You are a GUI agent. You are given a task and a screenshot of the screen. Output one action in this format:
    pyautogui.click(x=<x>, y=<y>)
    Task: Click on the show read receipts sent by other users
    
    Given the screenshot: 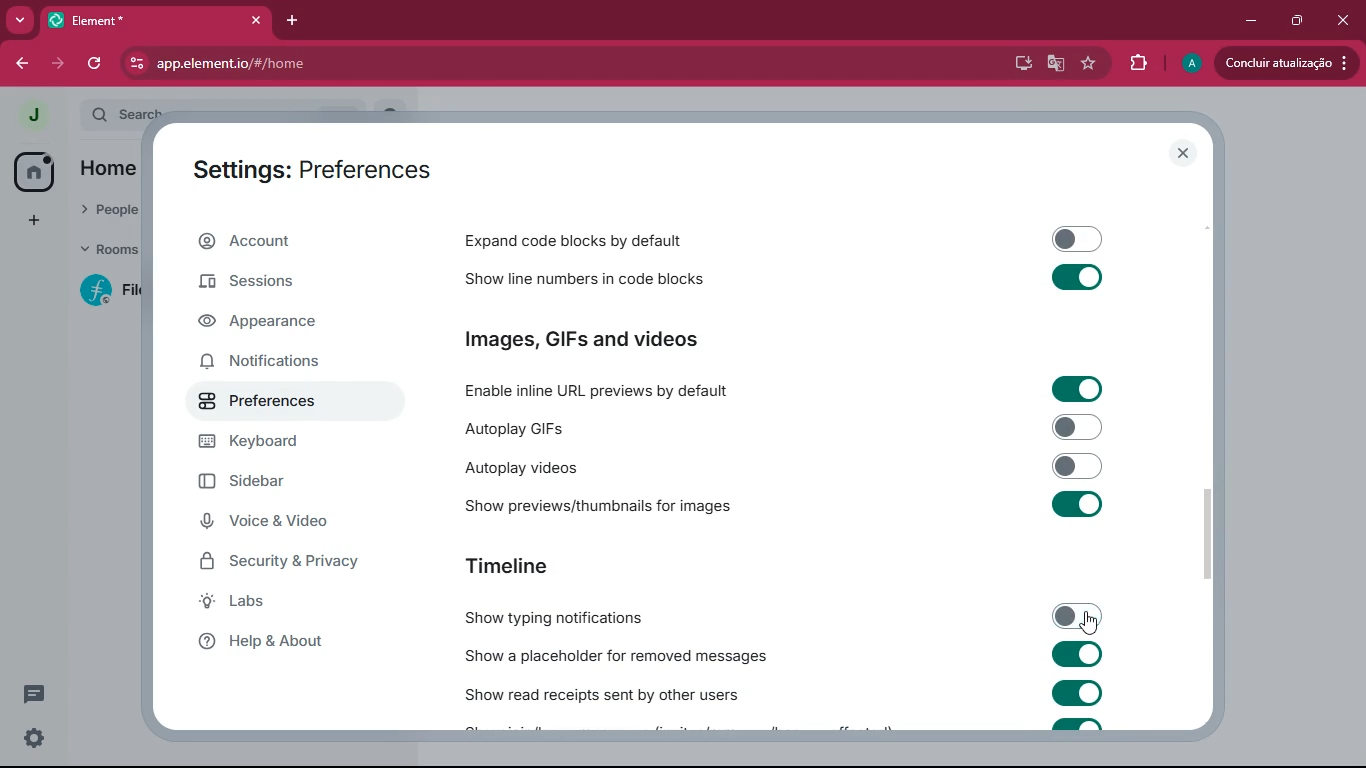 What is the action you would take?
    pyautogui.click(x=603, y=691)
    